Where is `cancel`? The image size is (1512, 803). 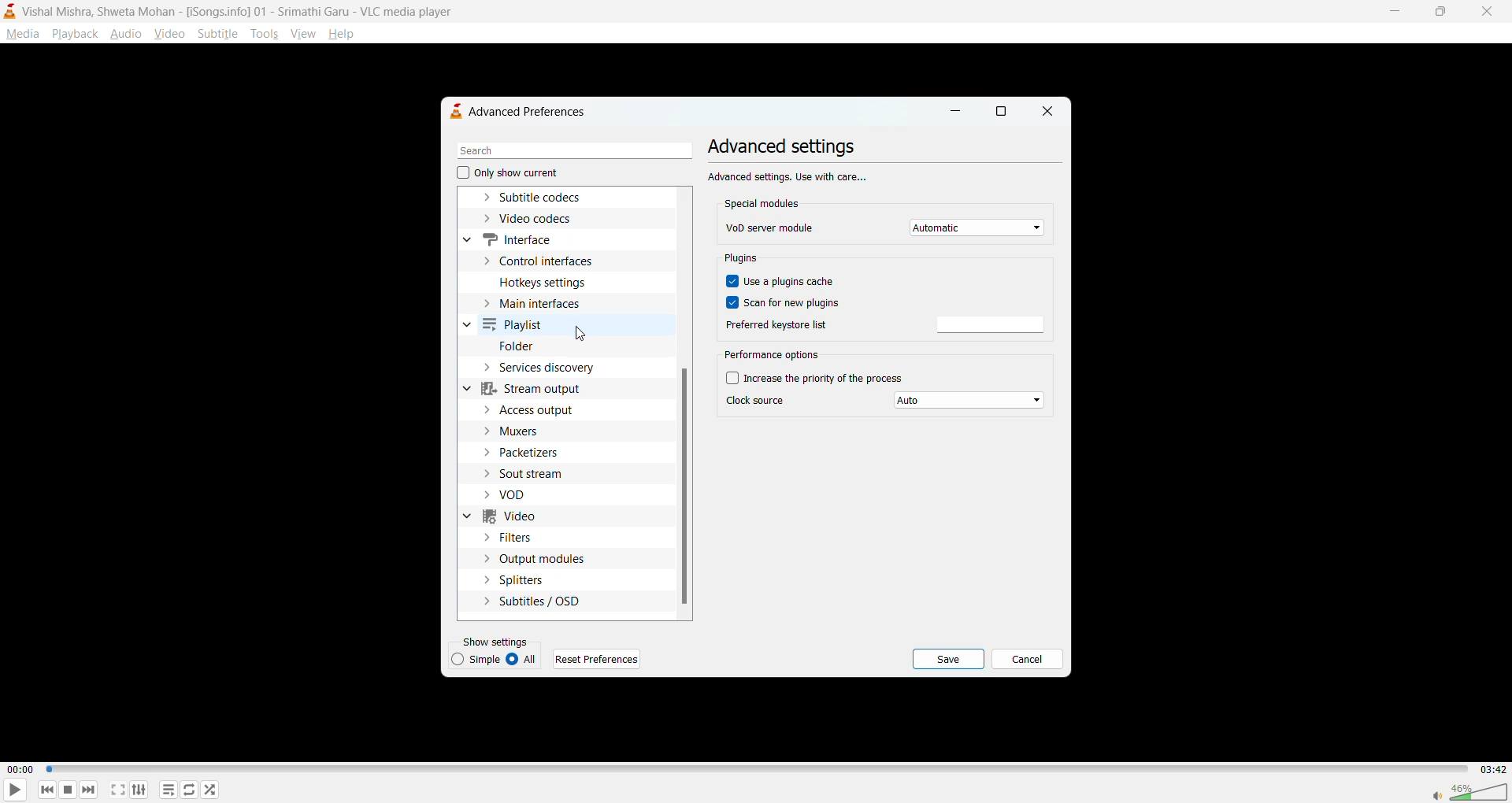
cancel is located at coordinates (1027, 661).